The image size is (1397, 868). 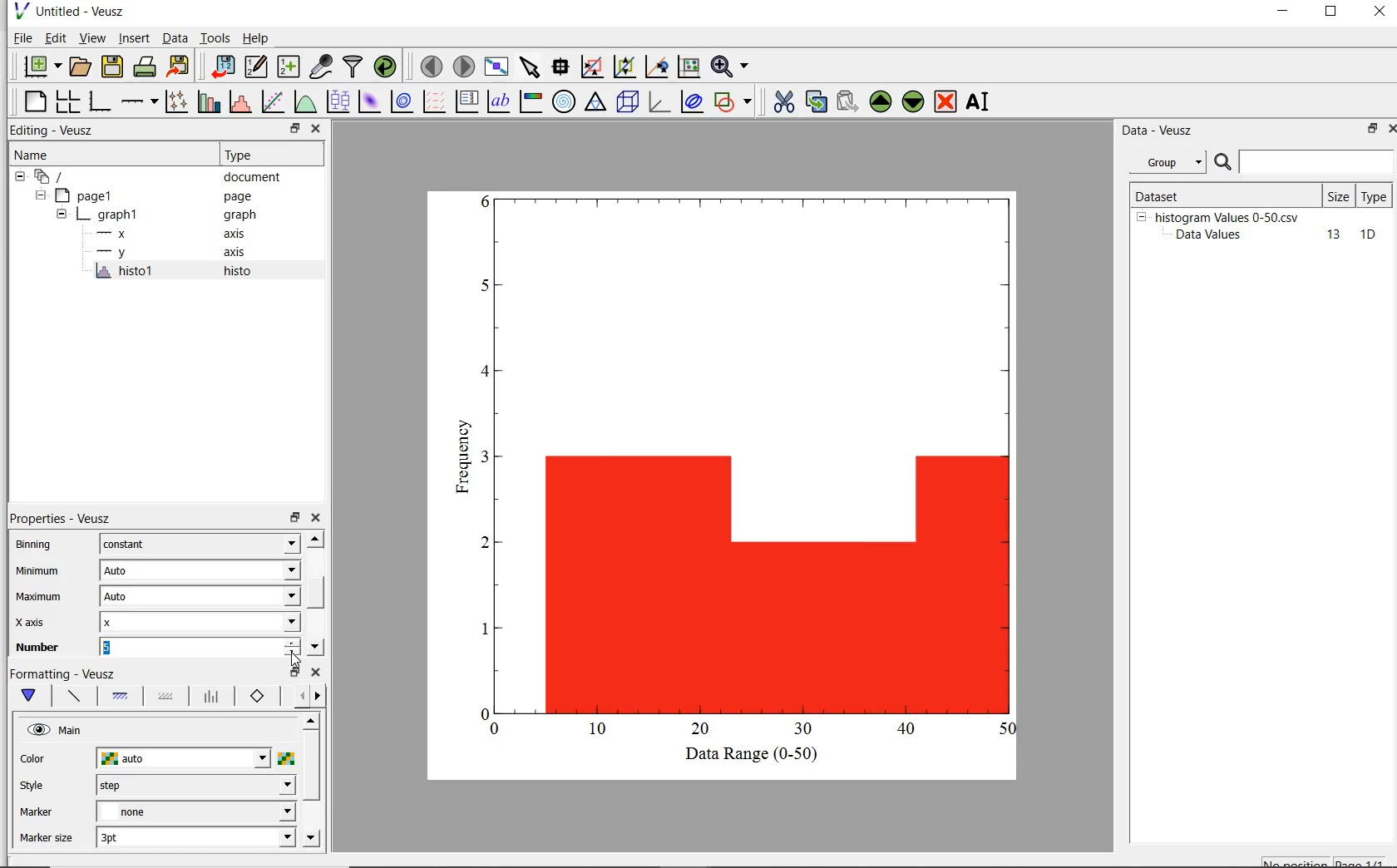 What do you see at coordinates (37, 814) in the screenshot?
I see `Marker` at bounding box center [37, 814].